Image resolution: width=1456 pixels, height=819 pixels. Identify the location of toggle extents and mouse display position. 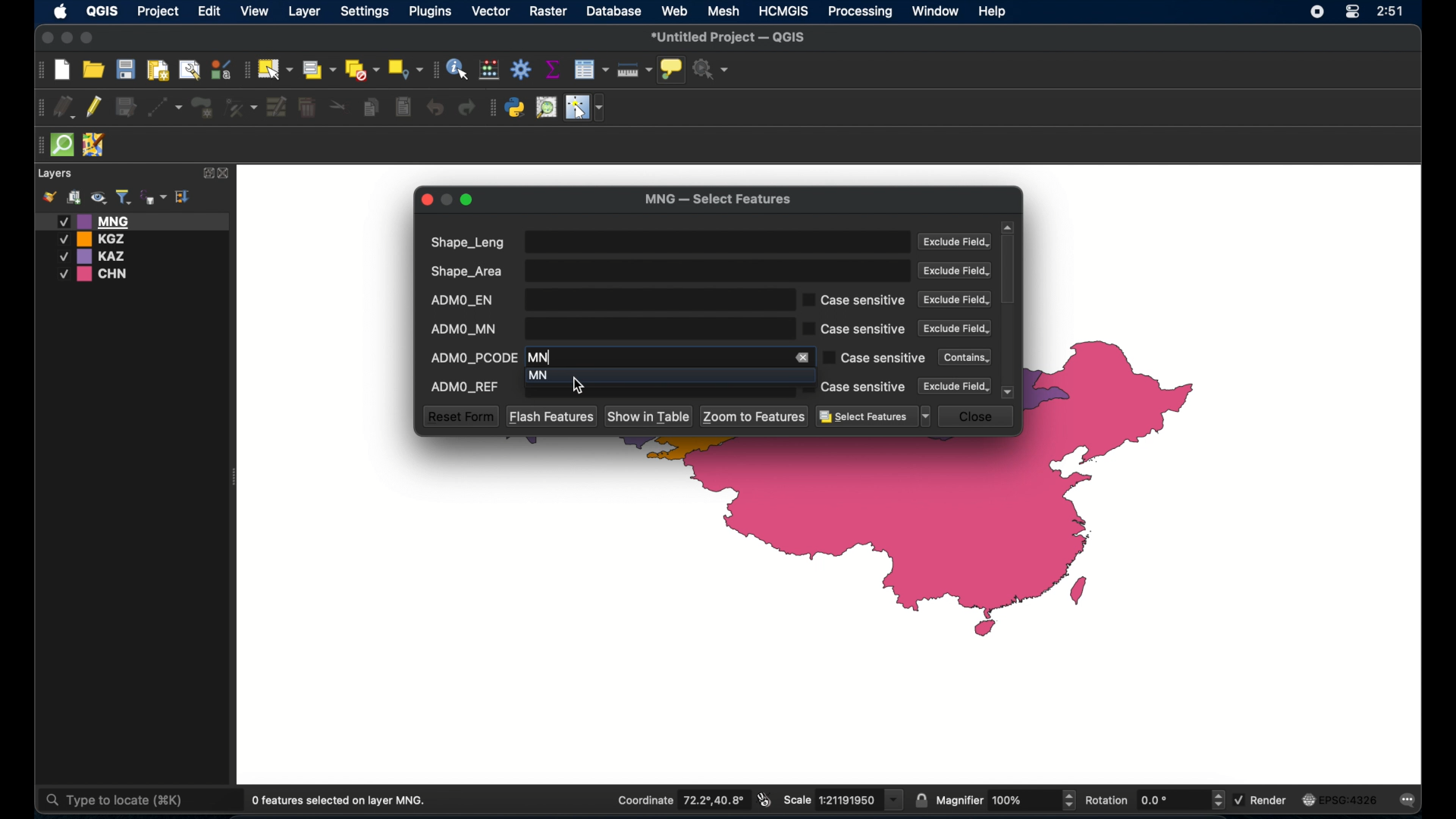
(766, 800).